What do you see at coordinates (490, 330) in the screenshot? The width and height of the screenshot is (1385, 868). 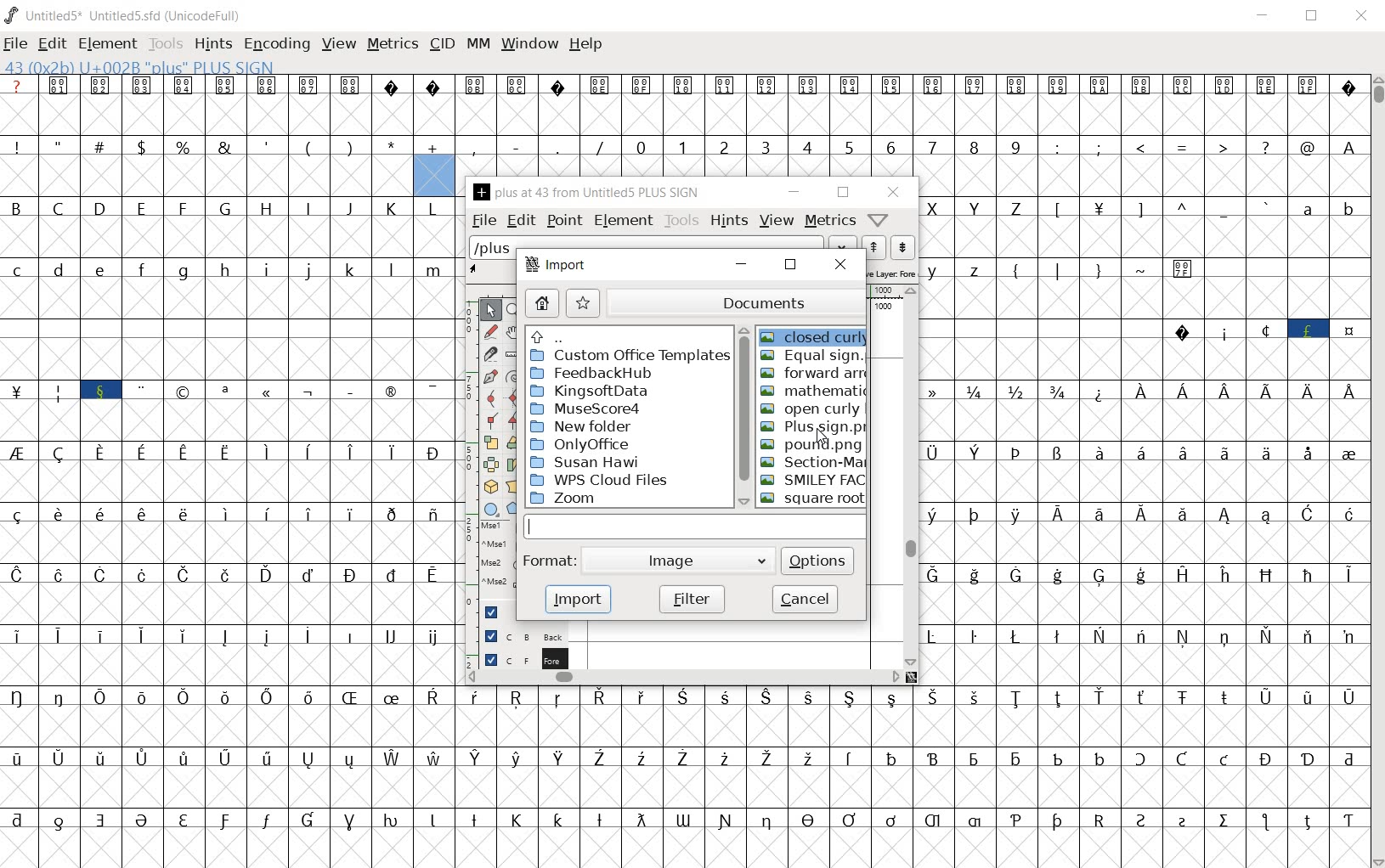 I see `draw a freehand curve` at bounding box center [490, 330].